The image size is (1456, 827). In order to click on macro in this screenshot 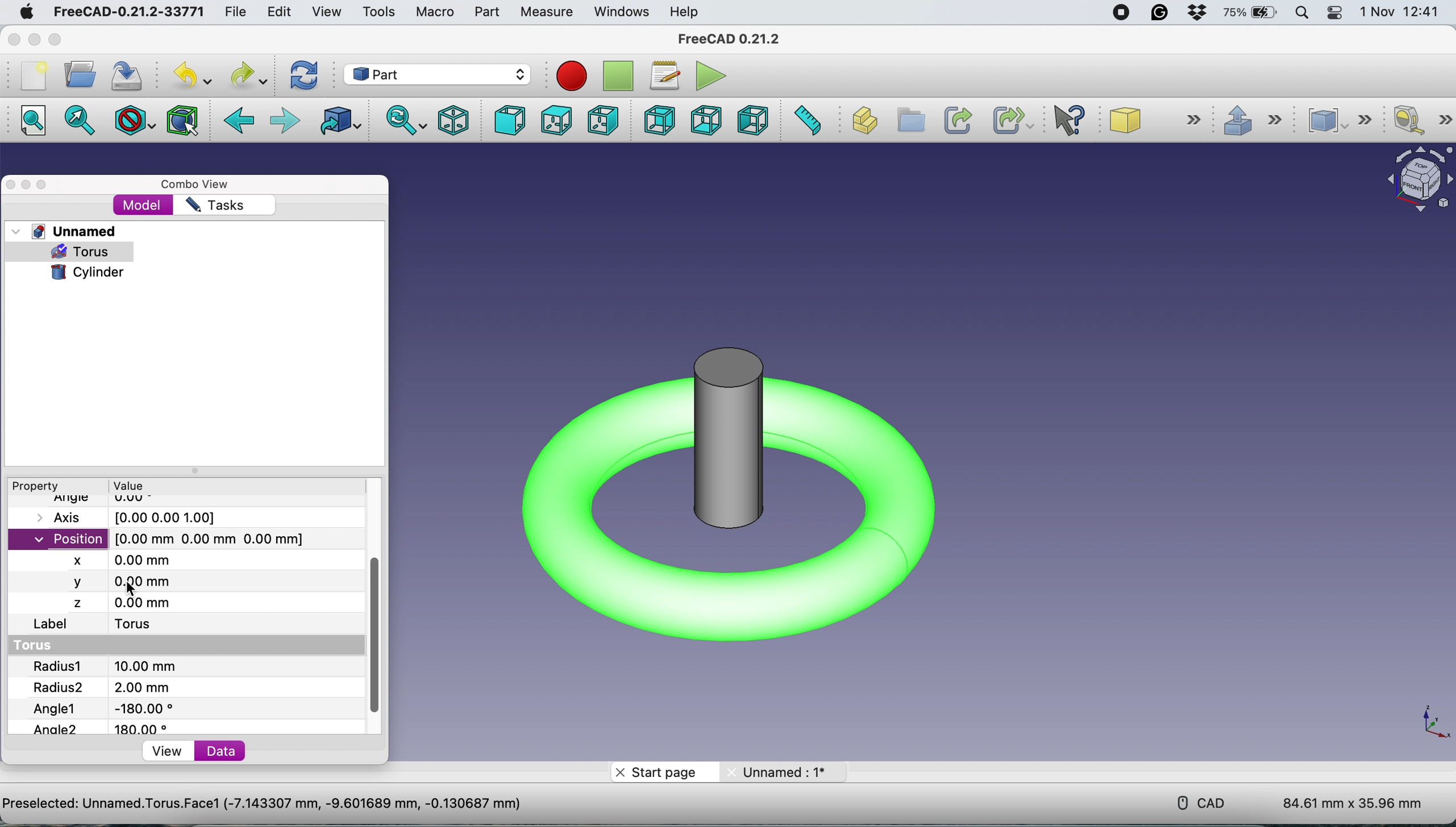, I will do `click(432, 12)`.